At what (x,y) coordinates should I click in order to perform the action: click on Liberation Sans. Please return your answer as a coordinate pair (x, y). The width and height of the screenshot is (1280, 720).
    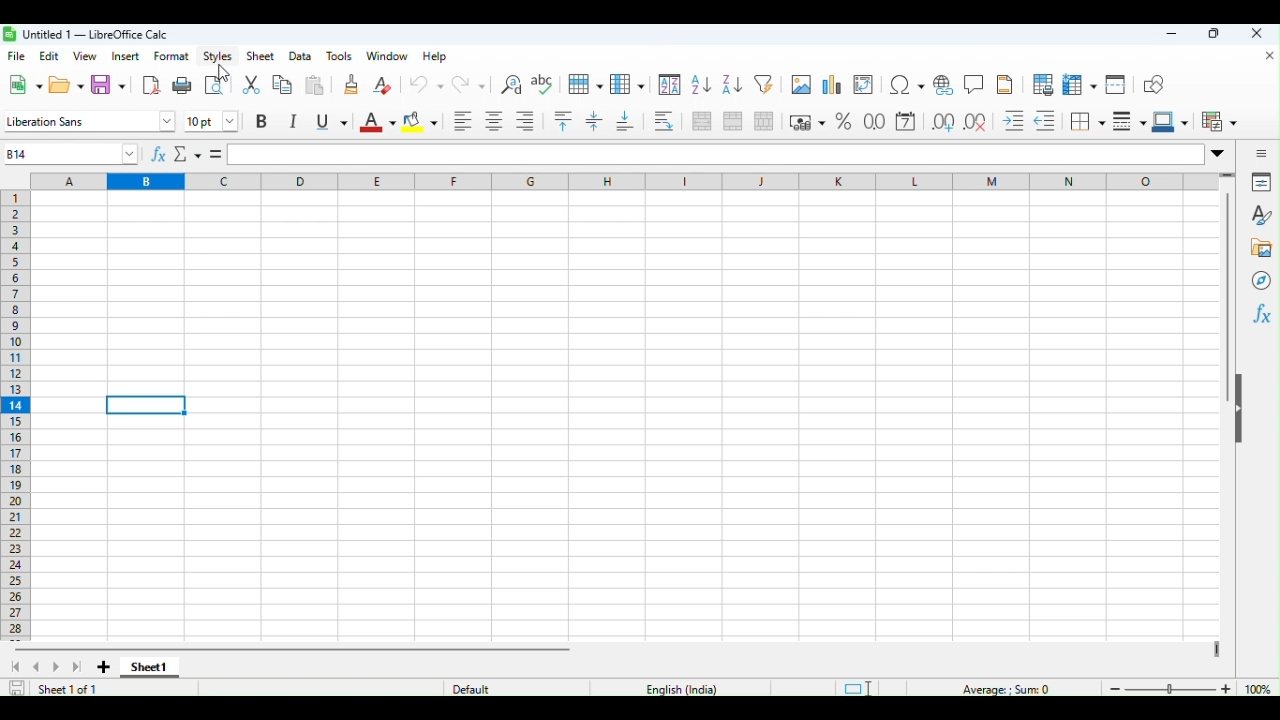
    Looking at the image, I should click on (86, 122).